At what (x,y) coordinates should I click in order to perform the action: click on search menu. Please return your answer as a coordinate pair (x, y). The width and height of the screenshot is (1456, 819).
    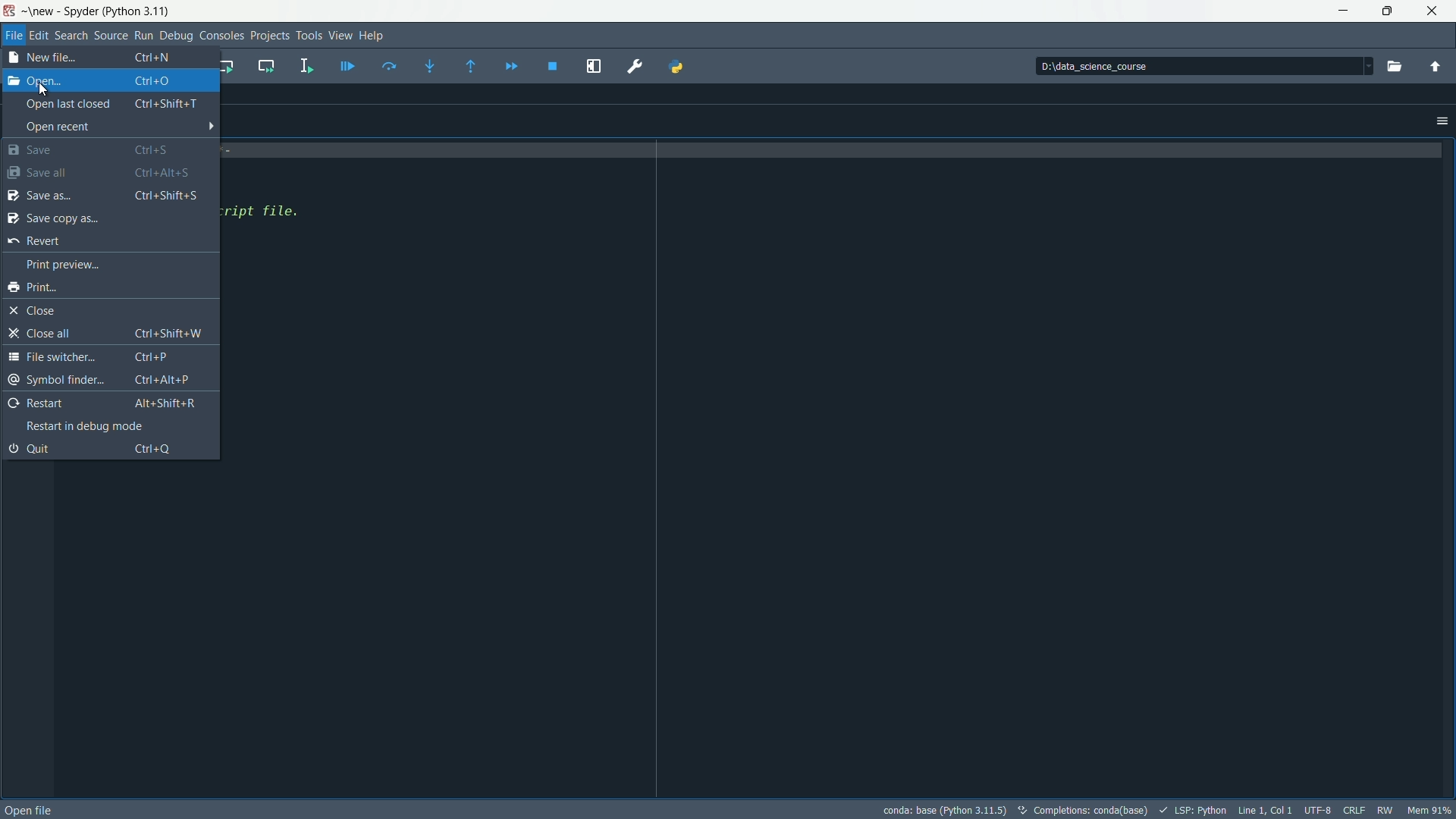
    Looking at the image, I should click on (71, 36).